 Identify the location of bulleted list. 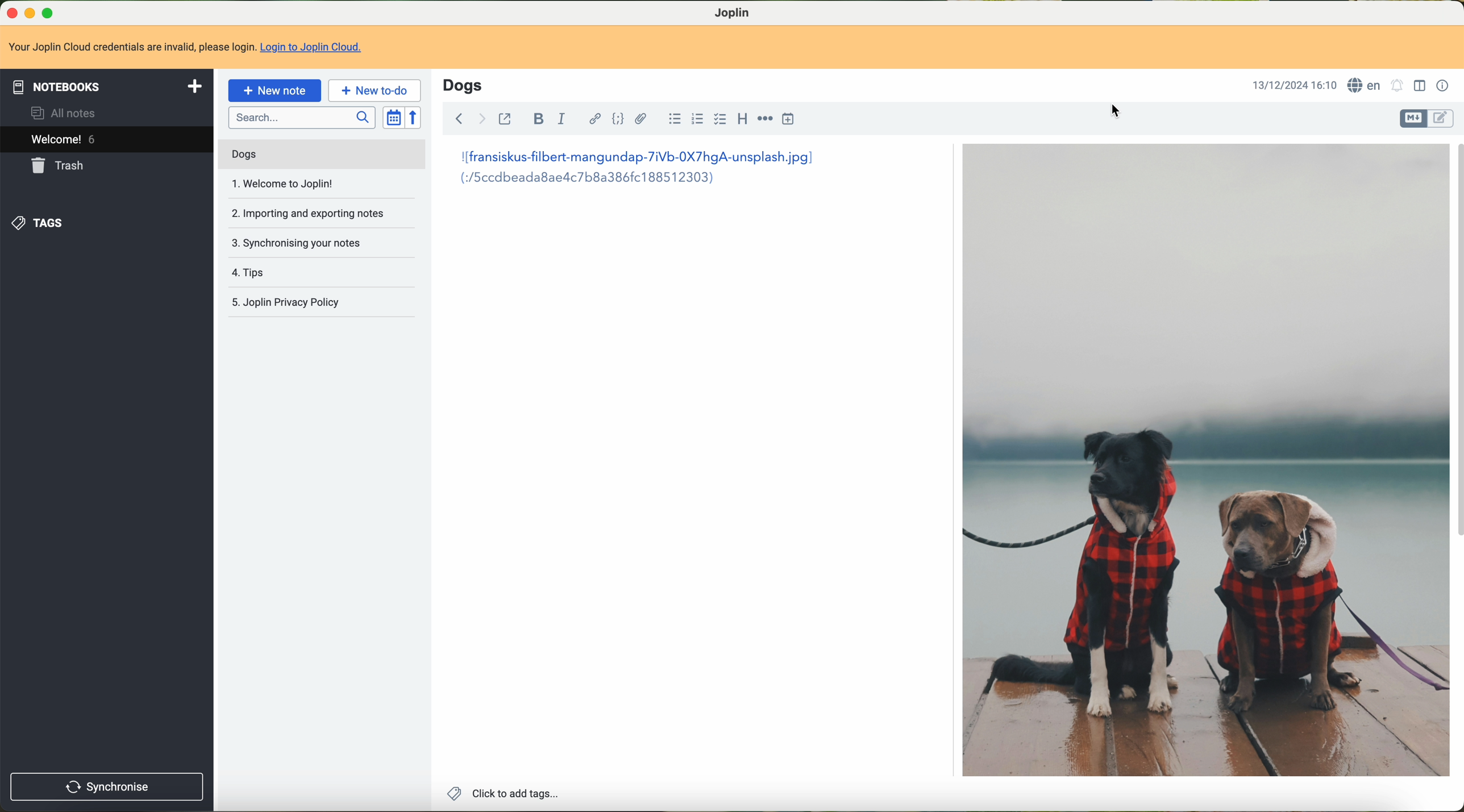
(672, 121).